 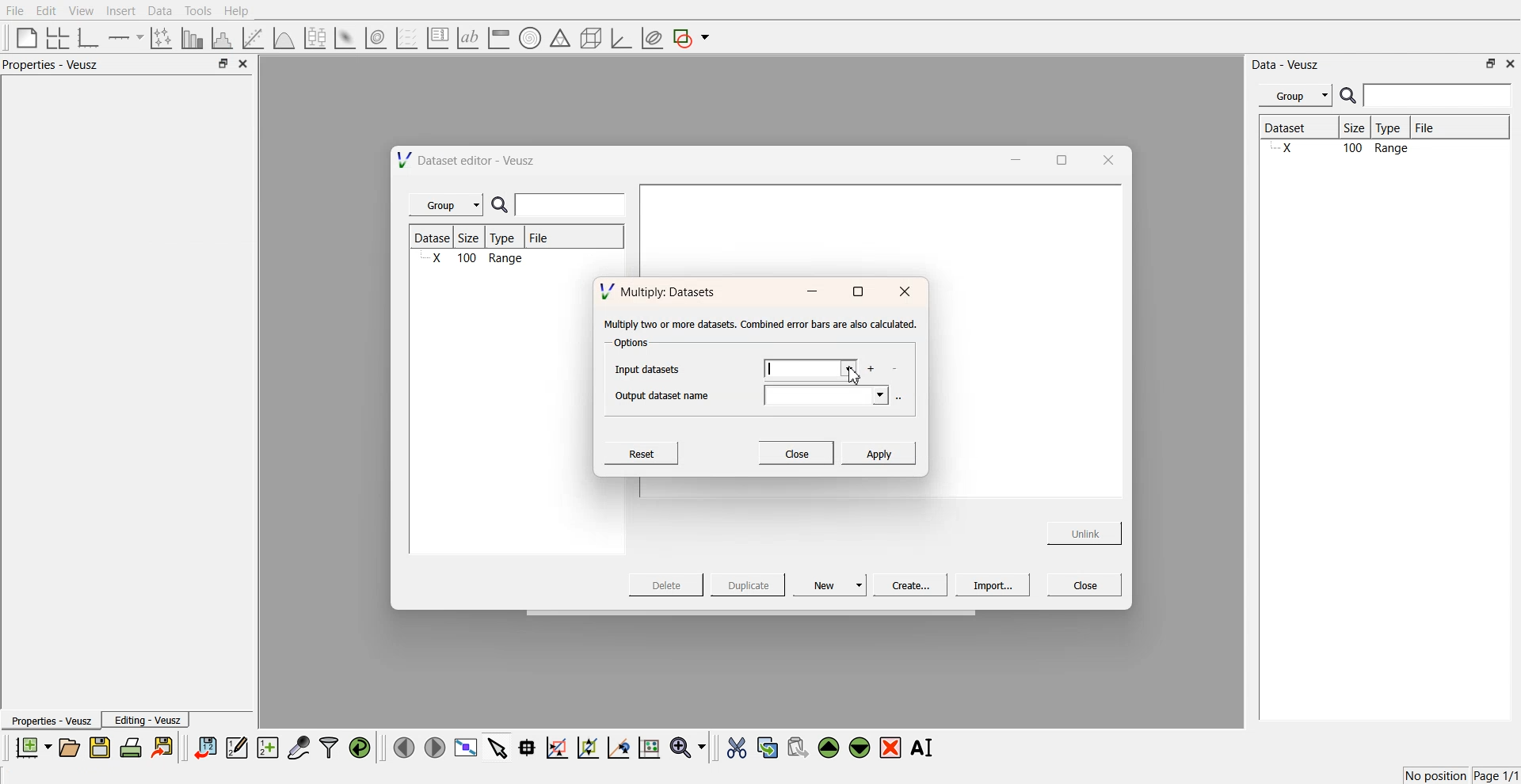 I want to click on New, so click(x=832, y=584).